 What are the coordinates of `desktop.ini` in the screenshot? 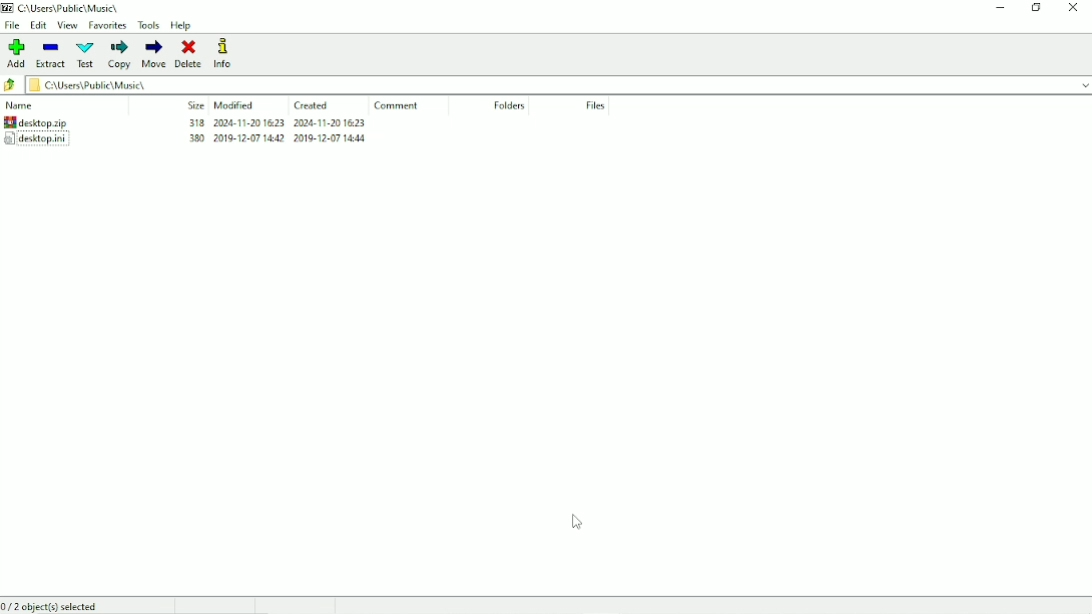 It's located at (186, 142).